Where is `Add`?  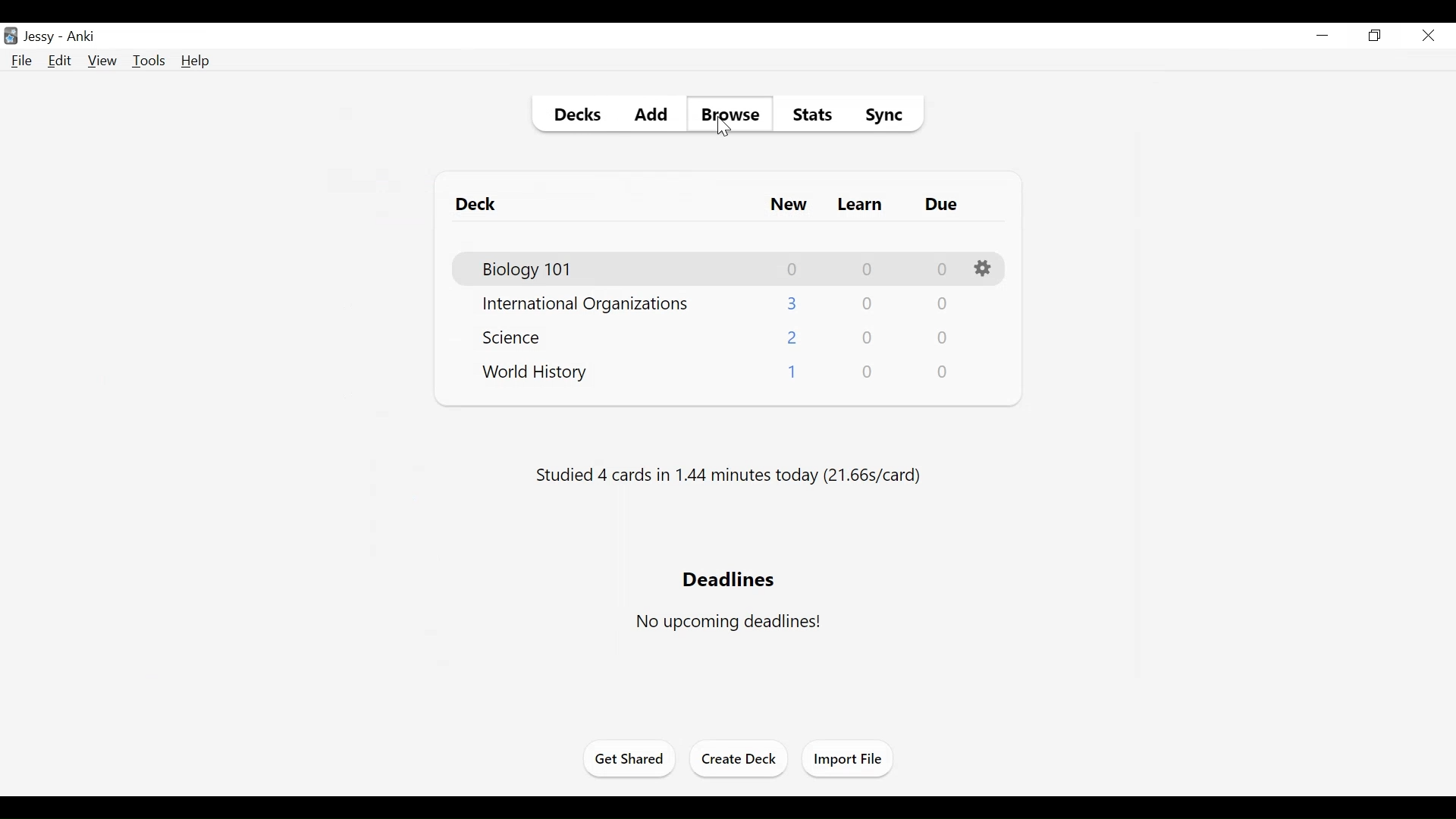 Add is located at coordinates (649, 115).